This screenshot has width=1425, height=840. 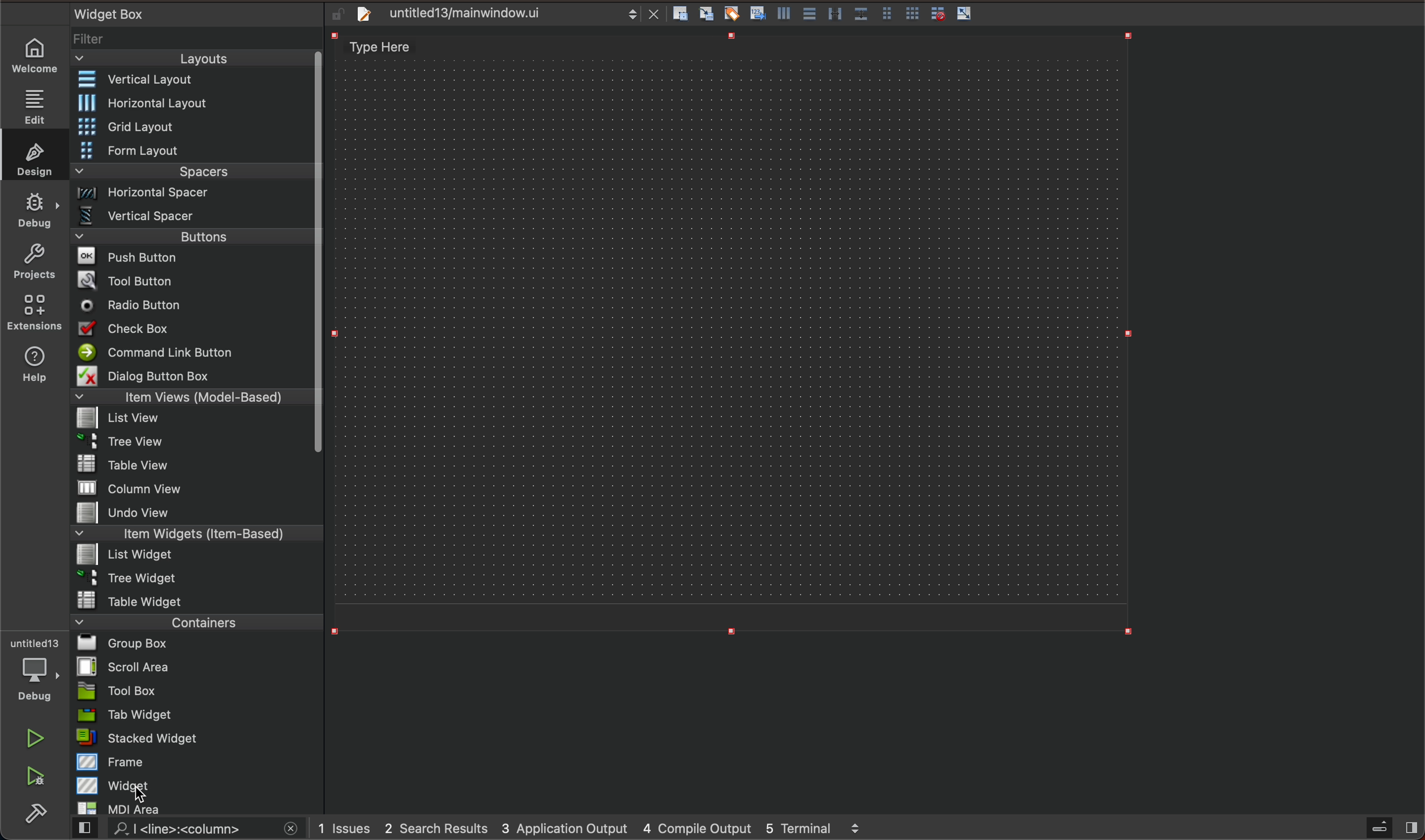 What do you see at coordinates (786, 14) in the screenshot?
I see `vertical` at bounding box center [786, 14].